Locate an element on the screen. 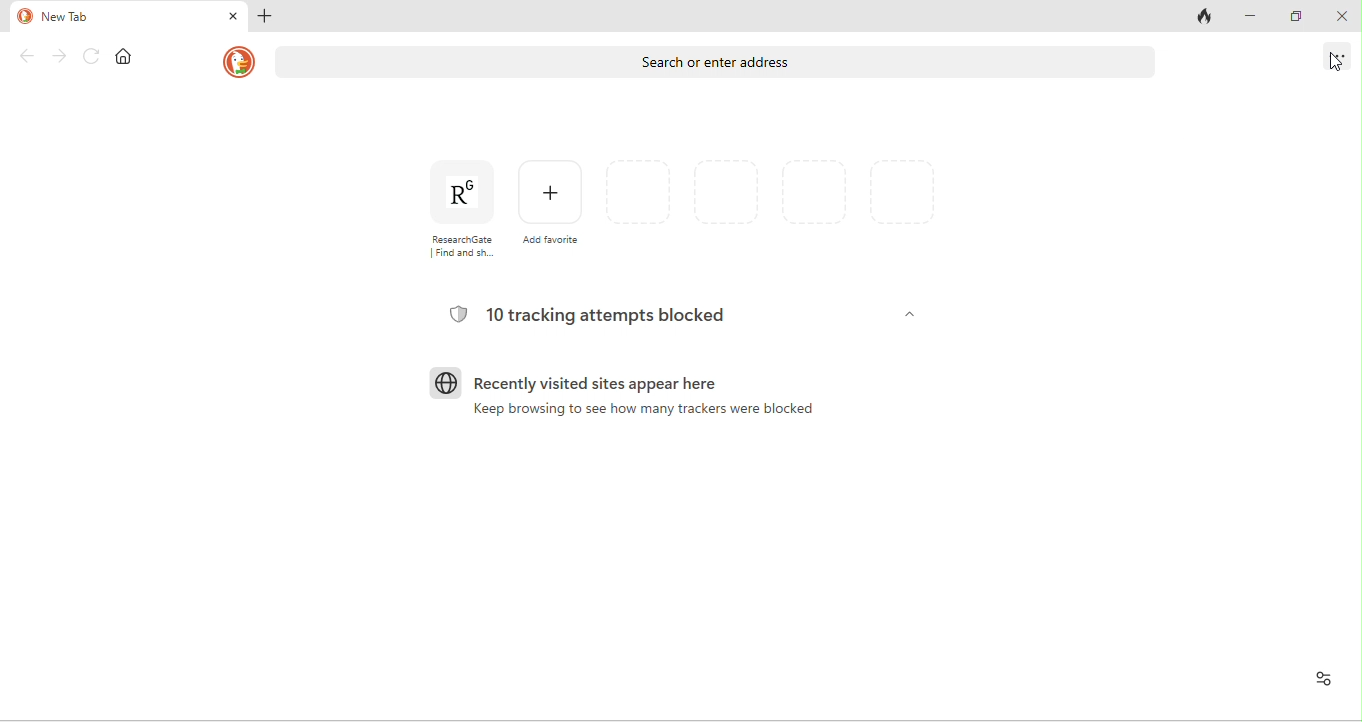 The width and height of the screenshot is (1362, 722). recently visited sites appear here is located at coordinates (635, 383).